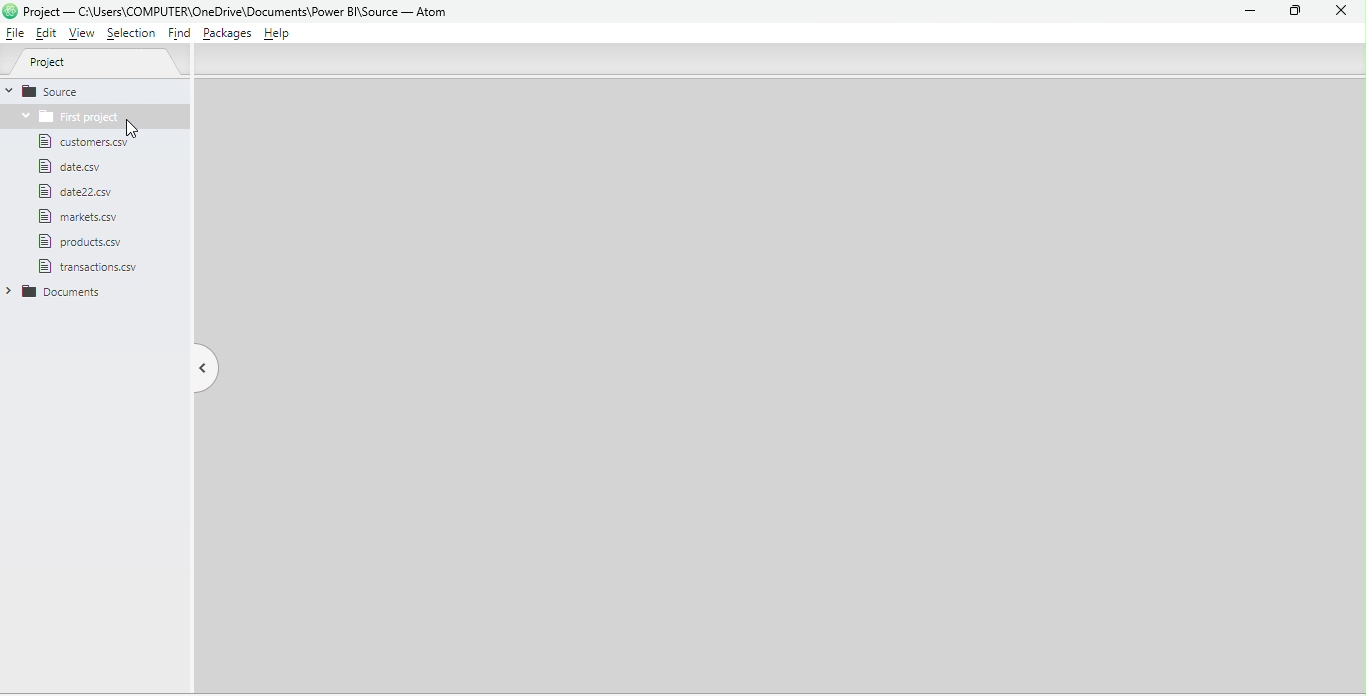 This screenshot has height=696, width=1366. I want to click on Selection, so click(134, 36).